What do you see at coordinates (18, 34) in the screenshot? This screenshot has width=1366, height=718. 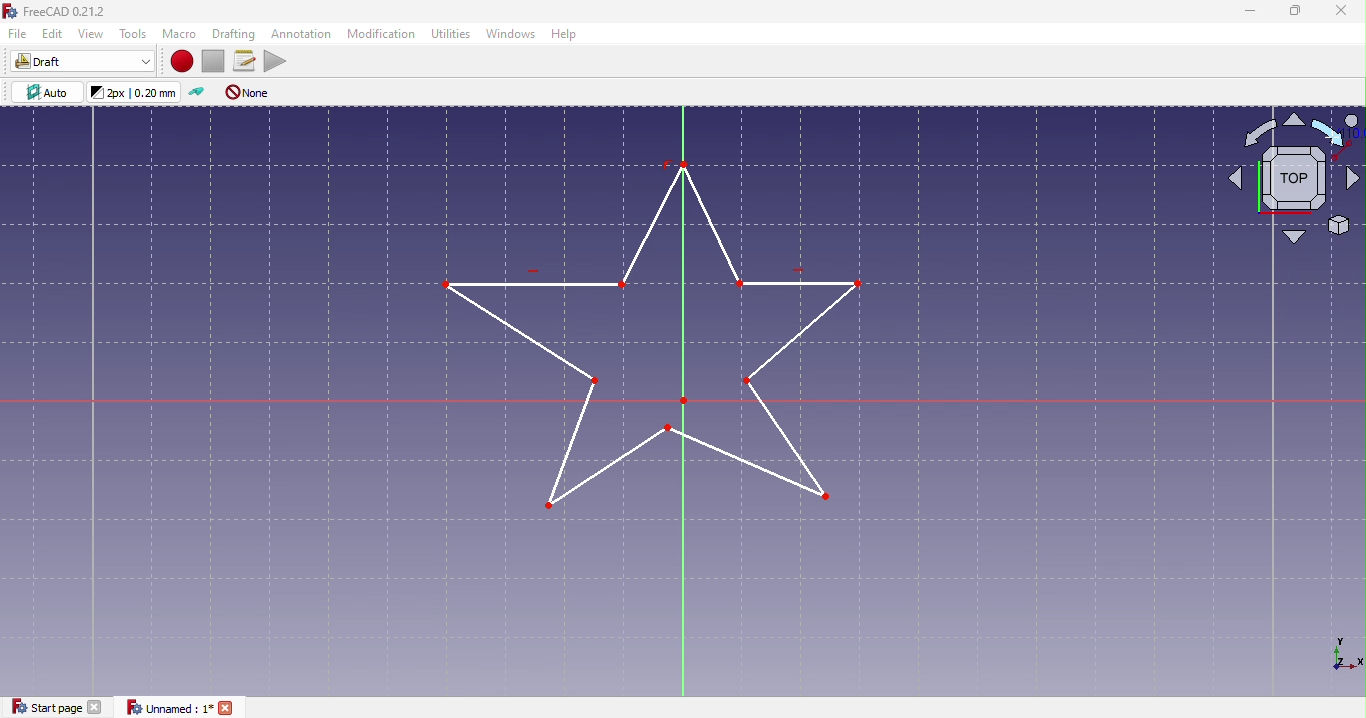 I see `File` at bounding box center [18, 34].